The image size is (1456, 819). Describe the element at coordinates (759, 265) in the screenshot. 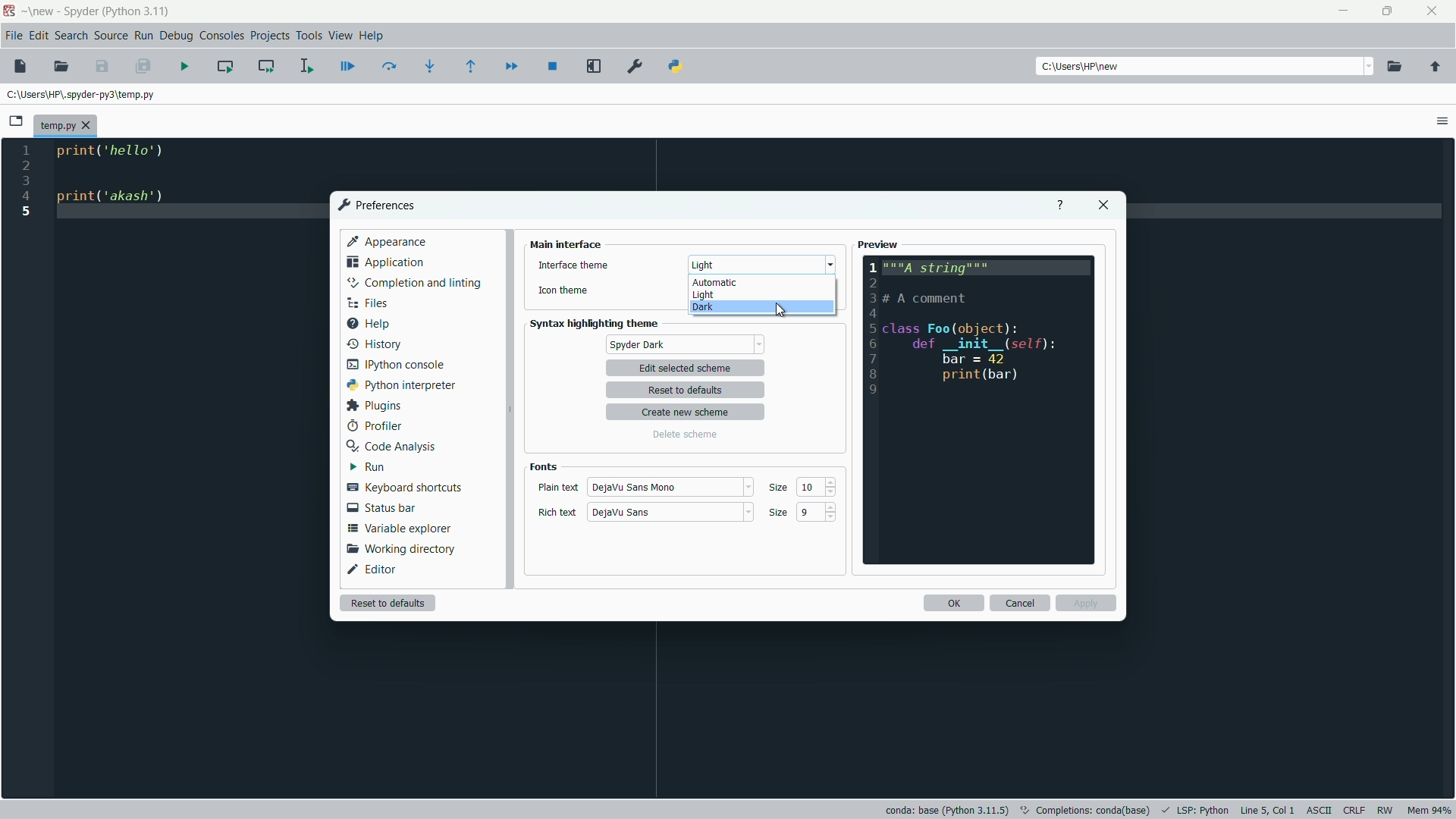

I see `theme dropdown` at that location.